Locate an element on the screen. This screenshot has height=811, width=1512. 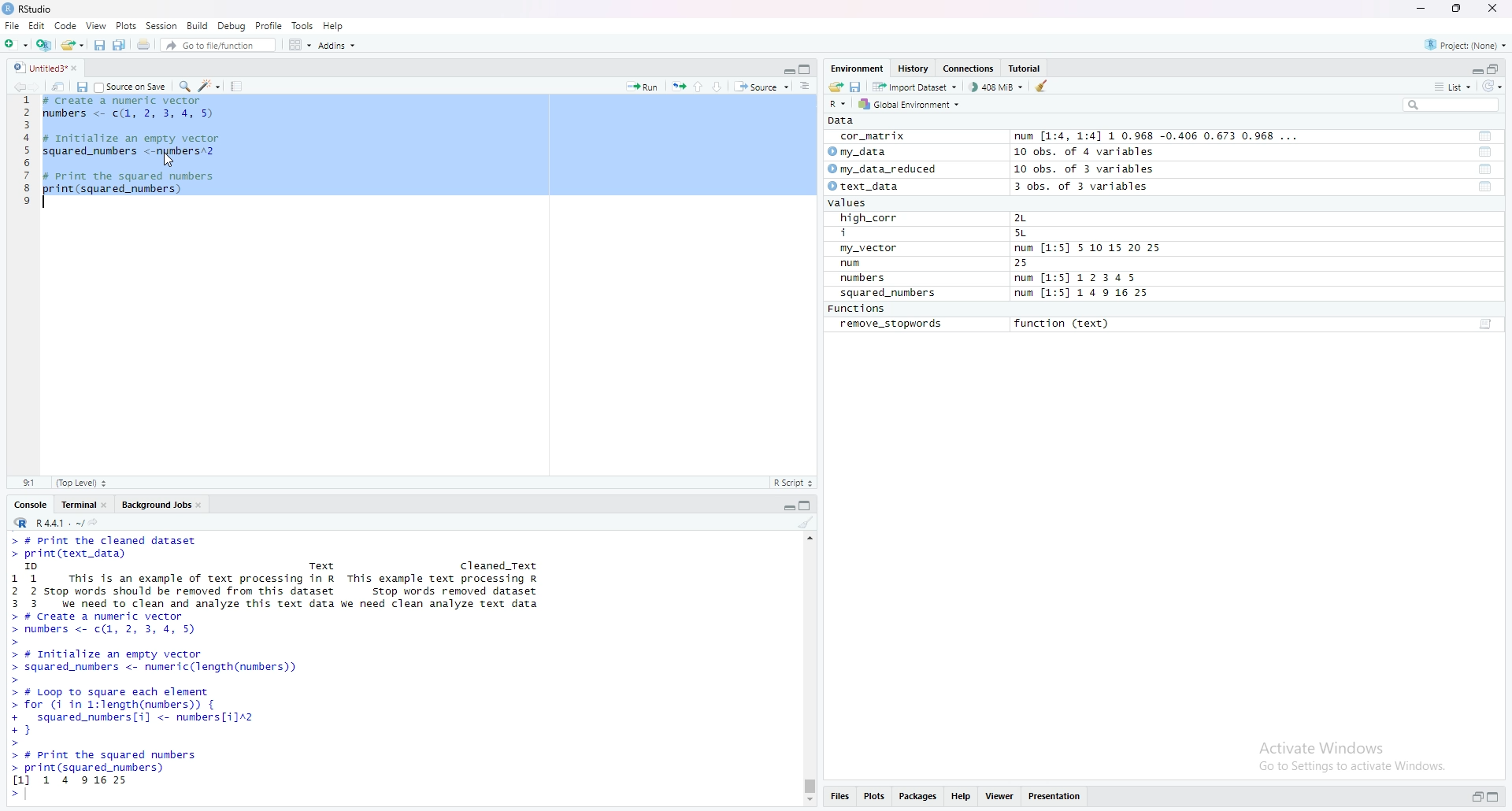
Background Jobs is located at coordinates (155, 503).